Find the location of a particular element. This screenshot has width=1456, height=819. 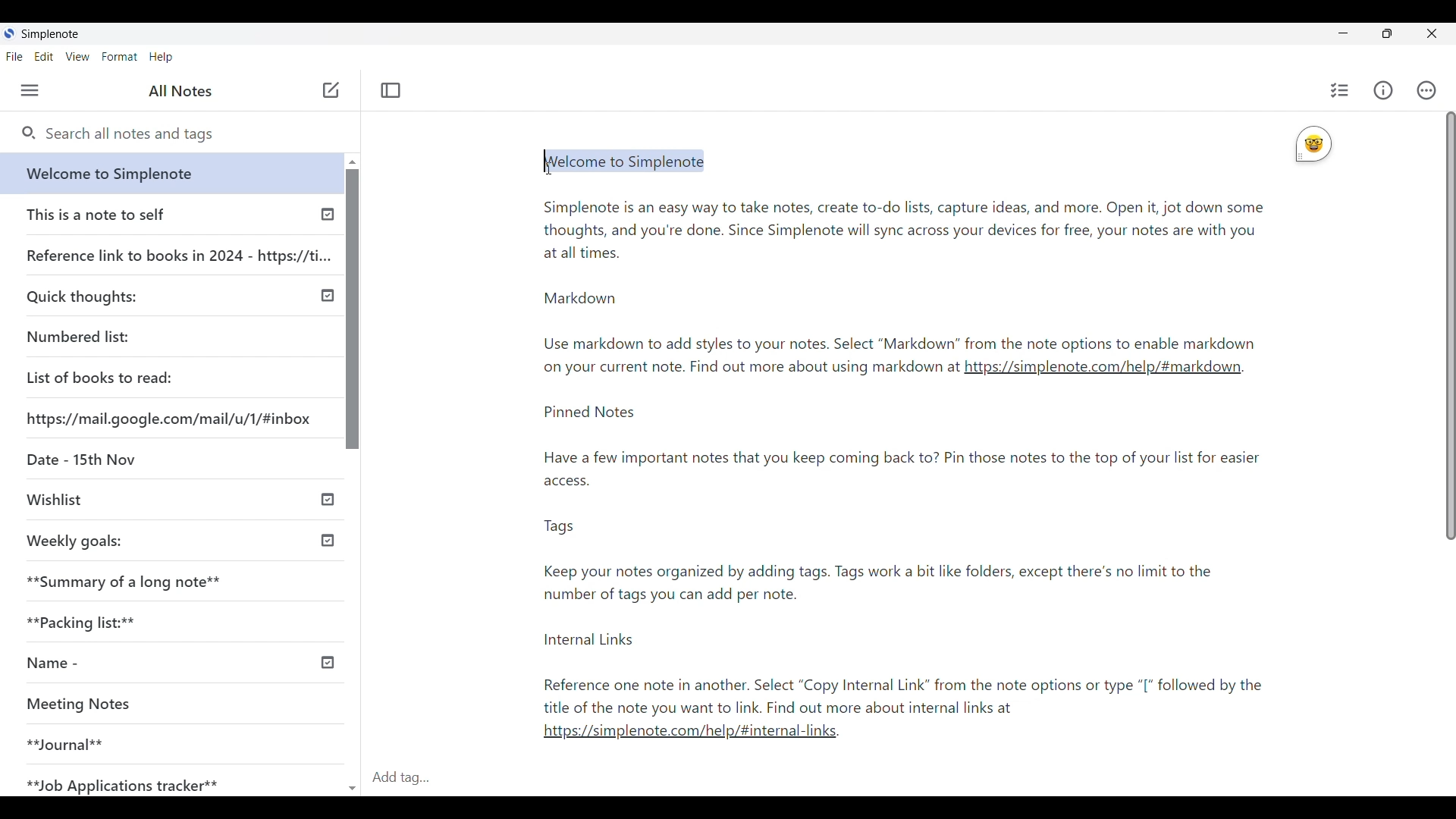

Job Application tracker is located at coordinates (119, 781).